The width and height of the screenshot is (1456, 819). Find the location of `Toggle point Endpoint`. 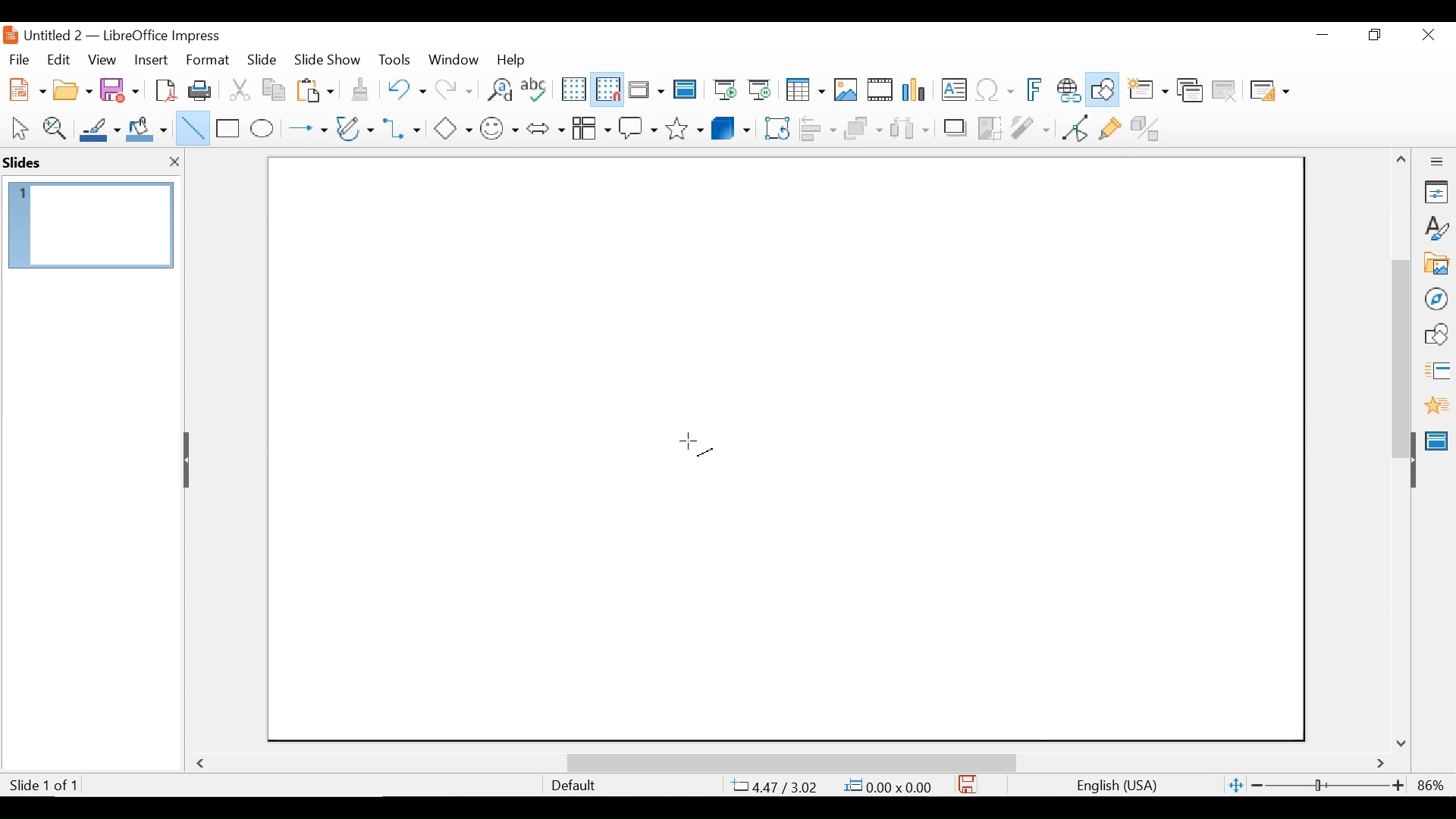

Toggle point Endpoint is located at coordinates (1072, 127).